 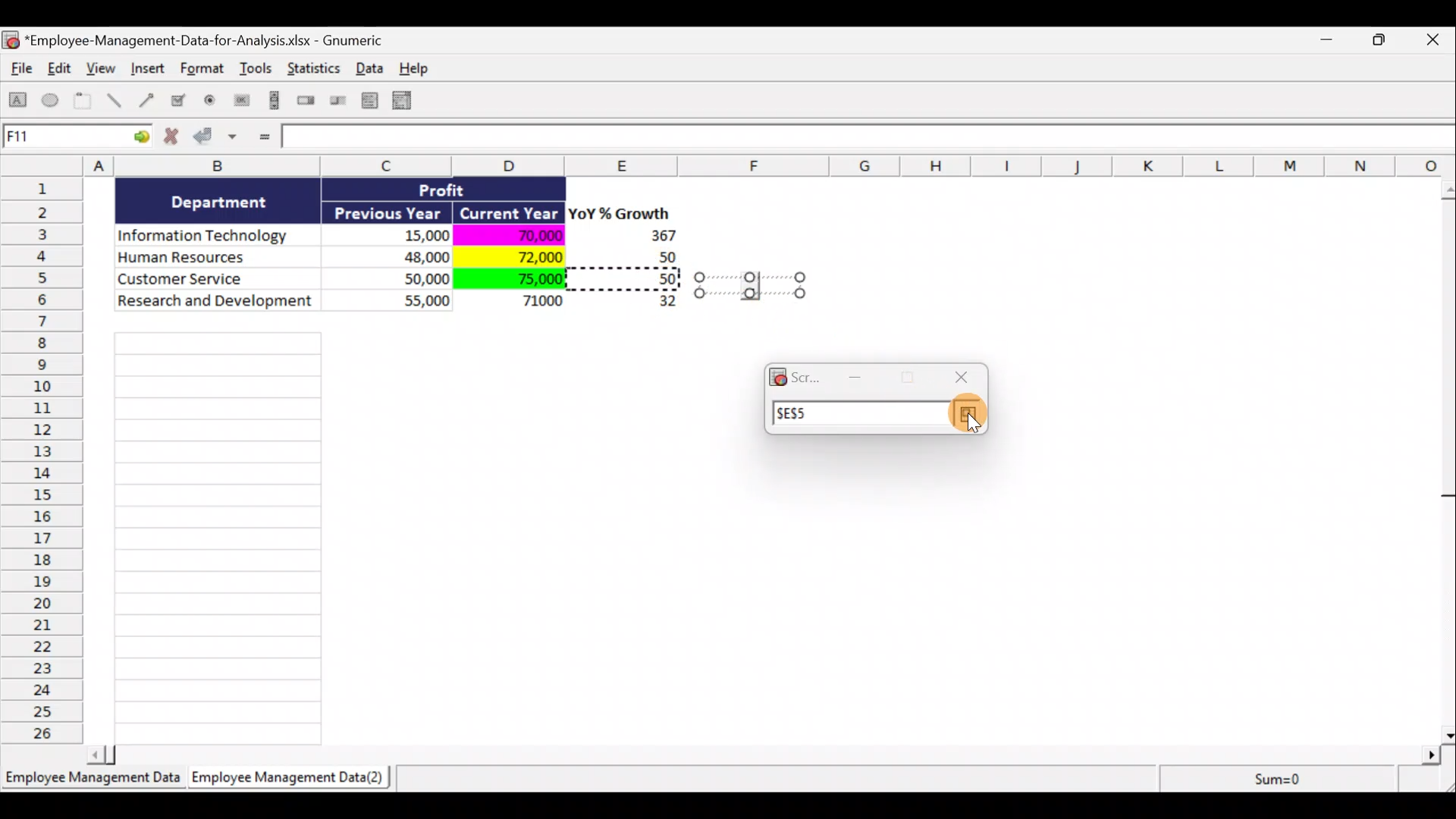 I want to click on Maximise, so click(x=1387, y=38).